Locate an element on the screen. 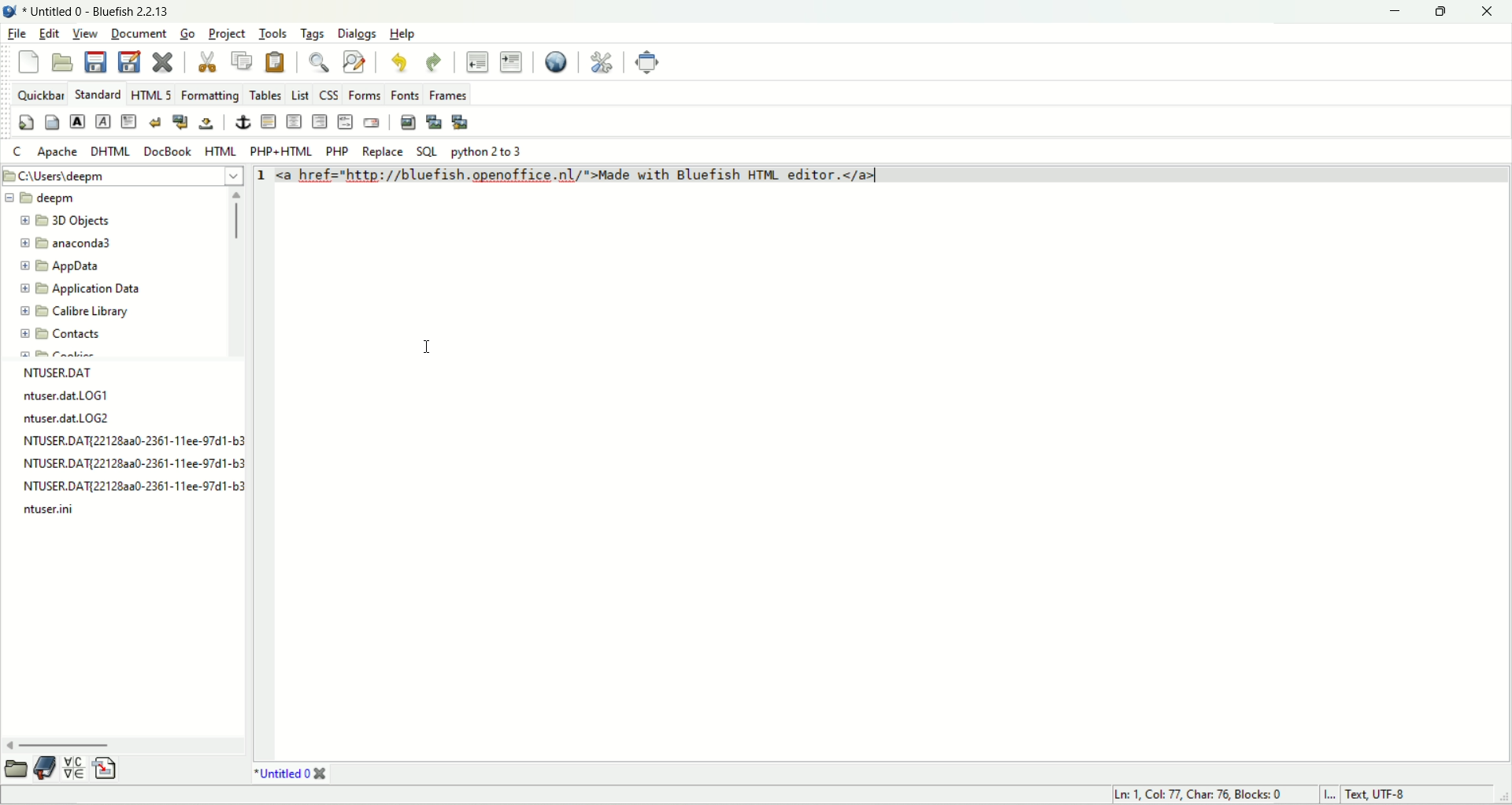  location is located at coordinates (121, 176).